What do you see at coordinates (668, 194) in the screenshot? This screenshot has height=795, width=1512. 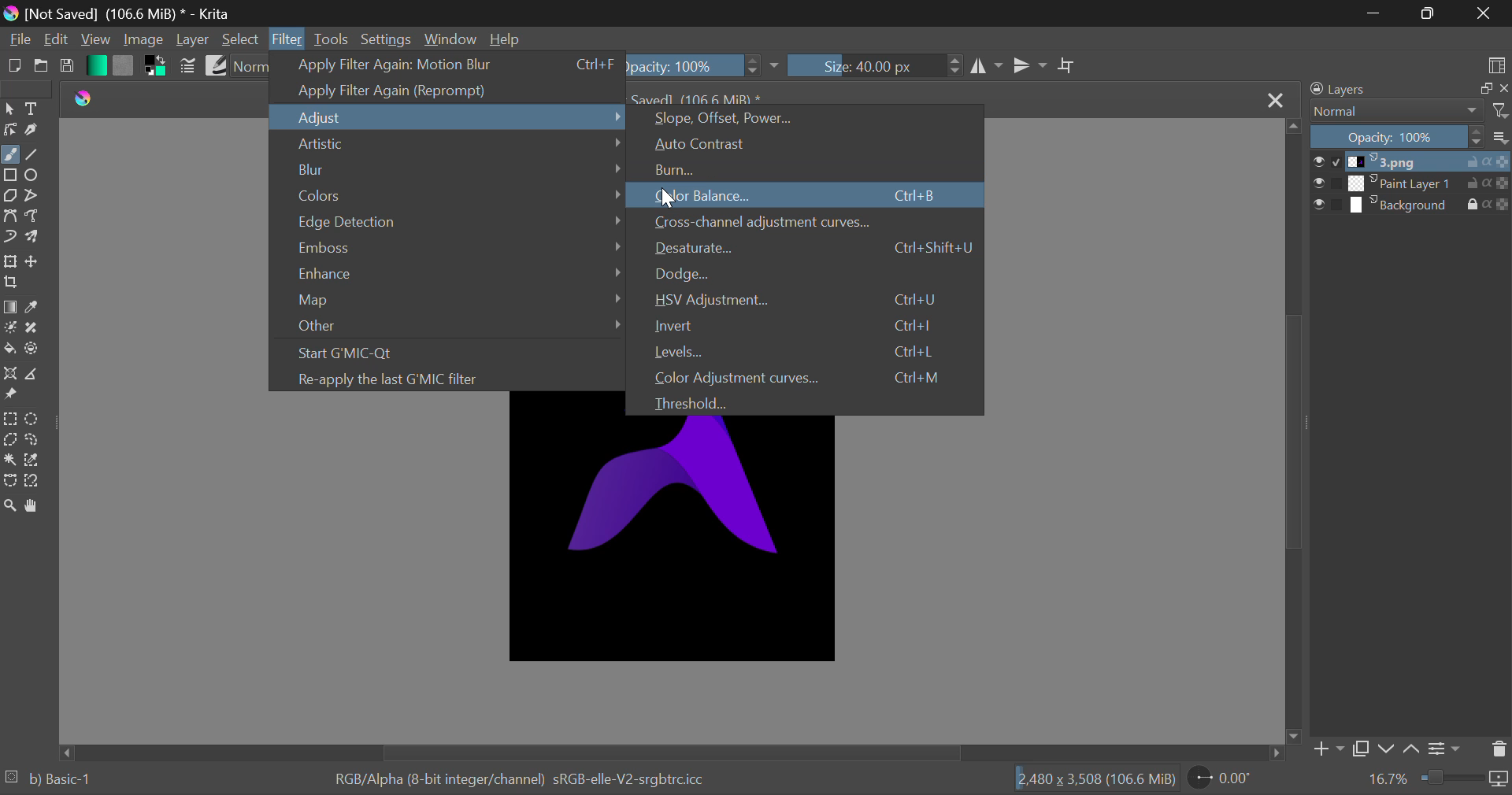 I see `Cursor on Color Balance` at bounding box center [668, 194].